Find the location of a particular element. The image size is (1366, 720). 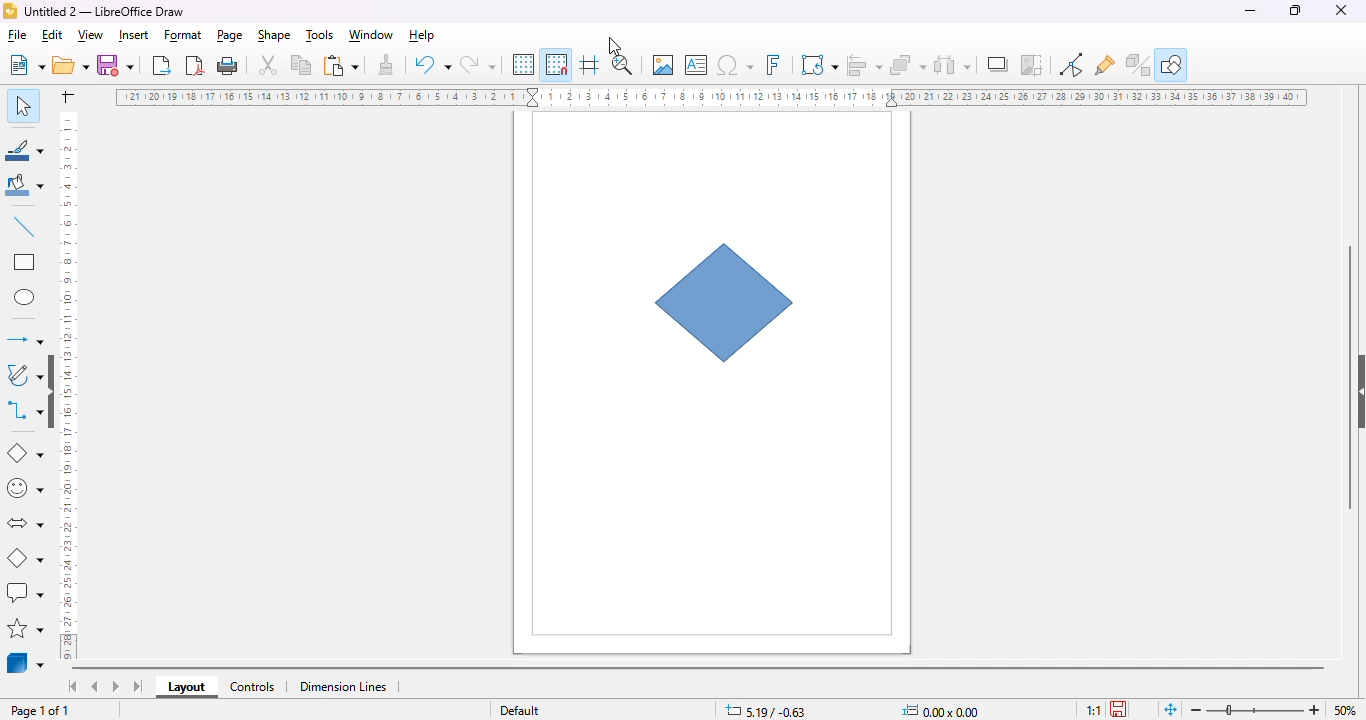

toggle extrusion is located at coordinates (1138, 64).